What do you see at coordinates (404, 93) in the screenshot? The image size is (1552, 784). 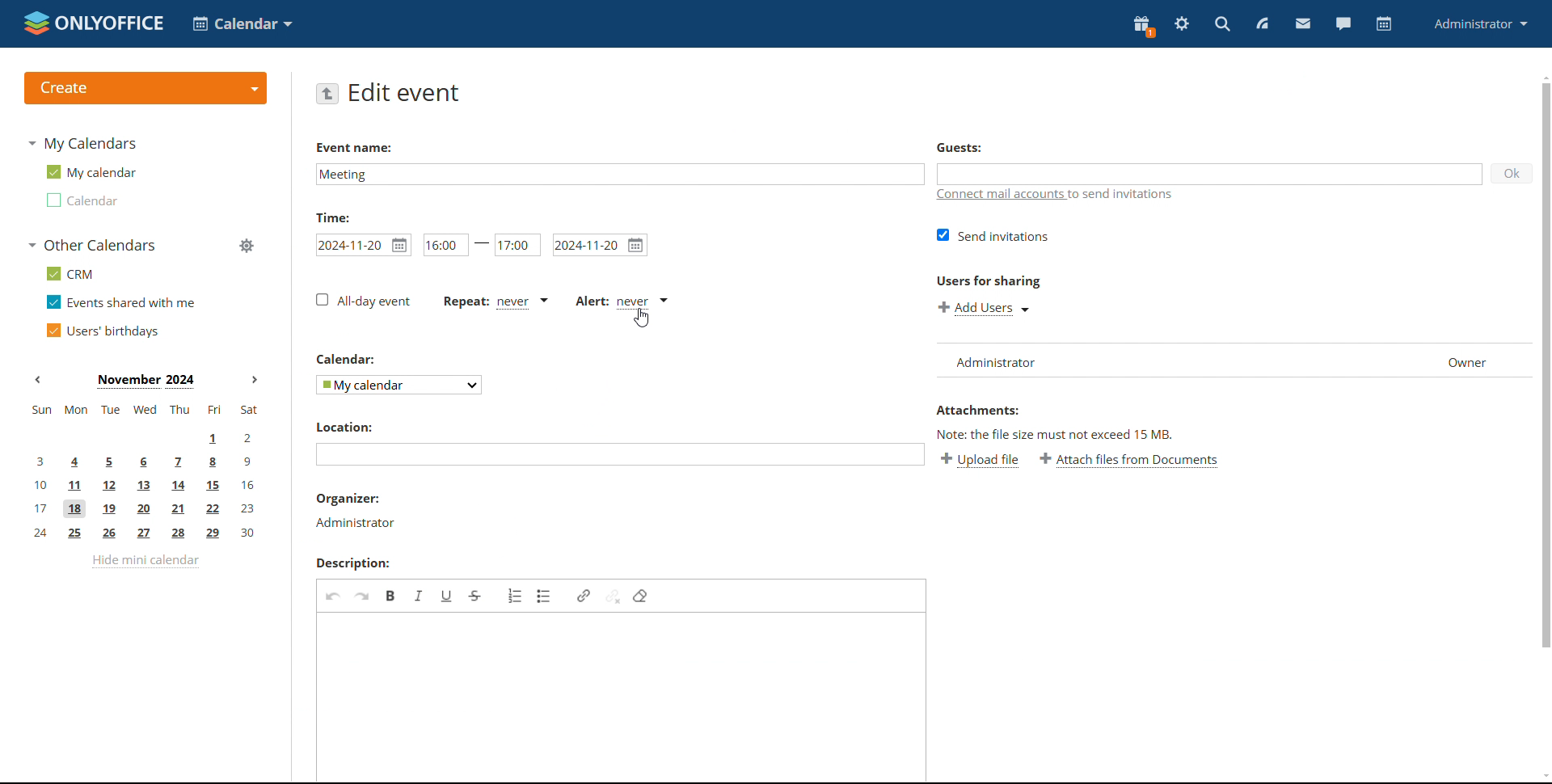 I see `edit event` at bounding box center [404, 93].